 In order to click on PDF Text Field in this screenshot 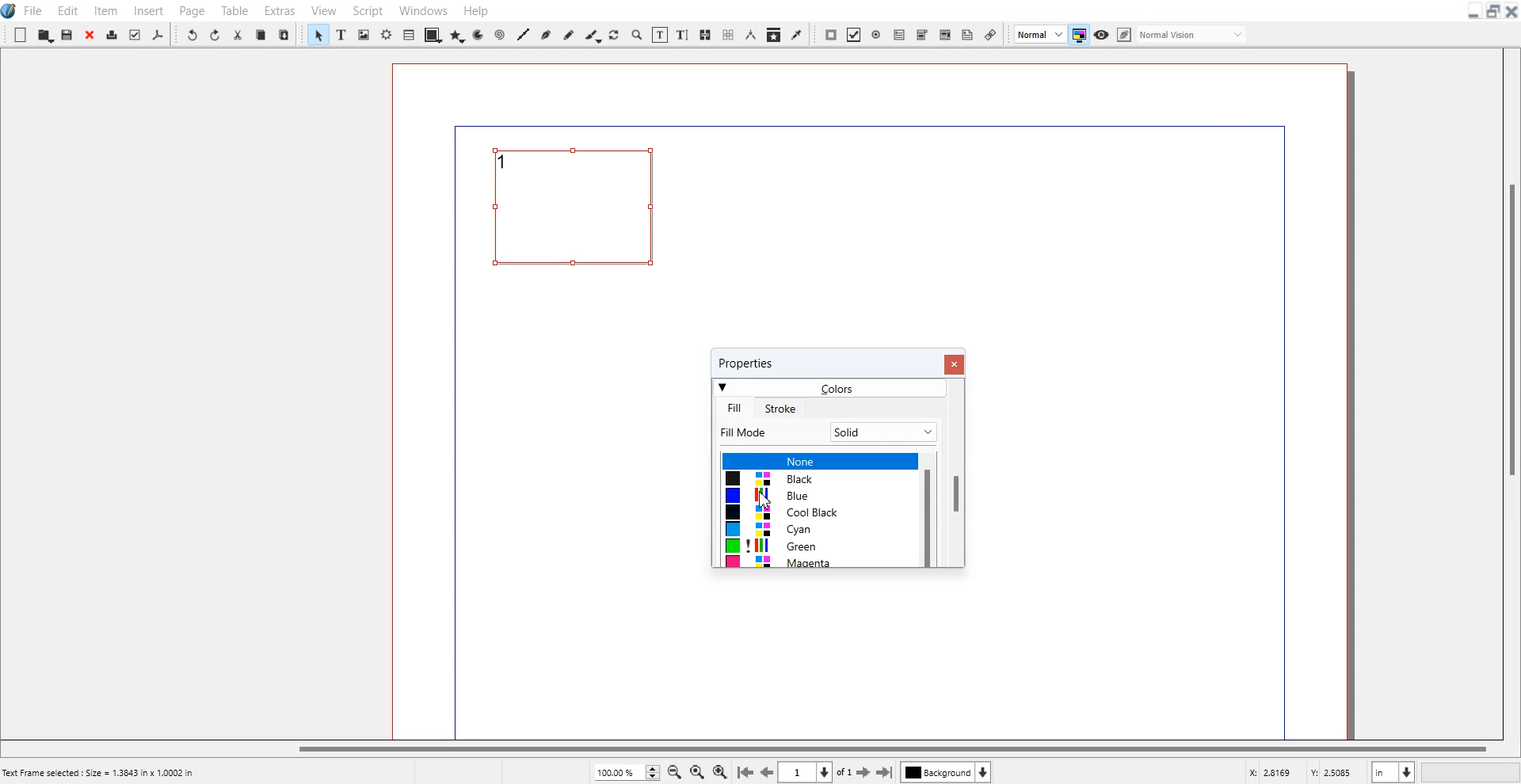, I will do `click(899, 34)`.